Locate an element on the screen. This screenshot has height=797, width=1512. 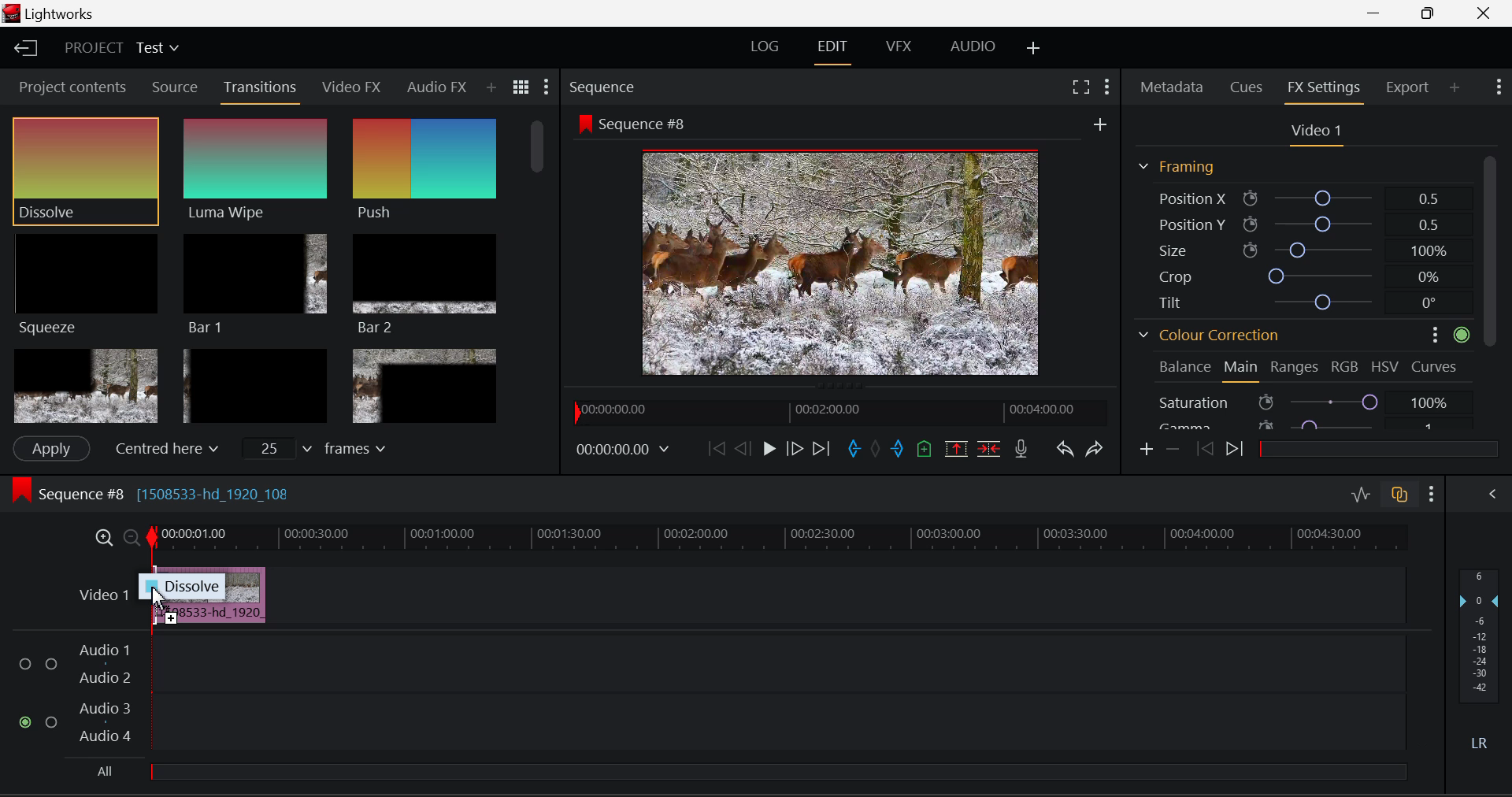
Close is located at coordinates (1483, 14).